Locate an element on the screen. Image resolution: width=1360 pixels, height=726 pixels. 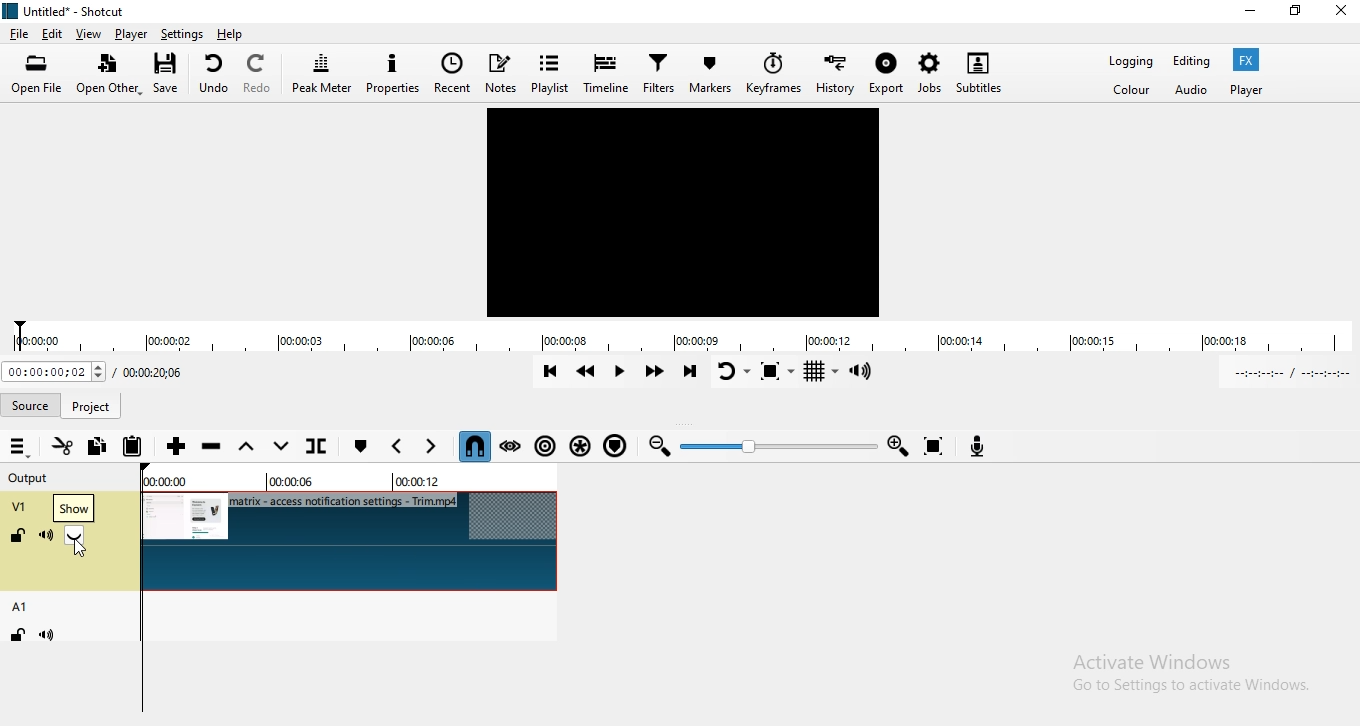
Export is located at coordinates (886, 74).